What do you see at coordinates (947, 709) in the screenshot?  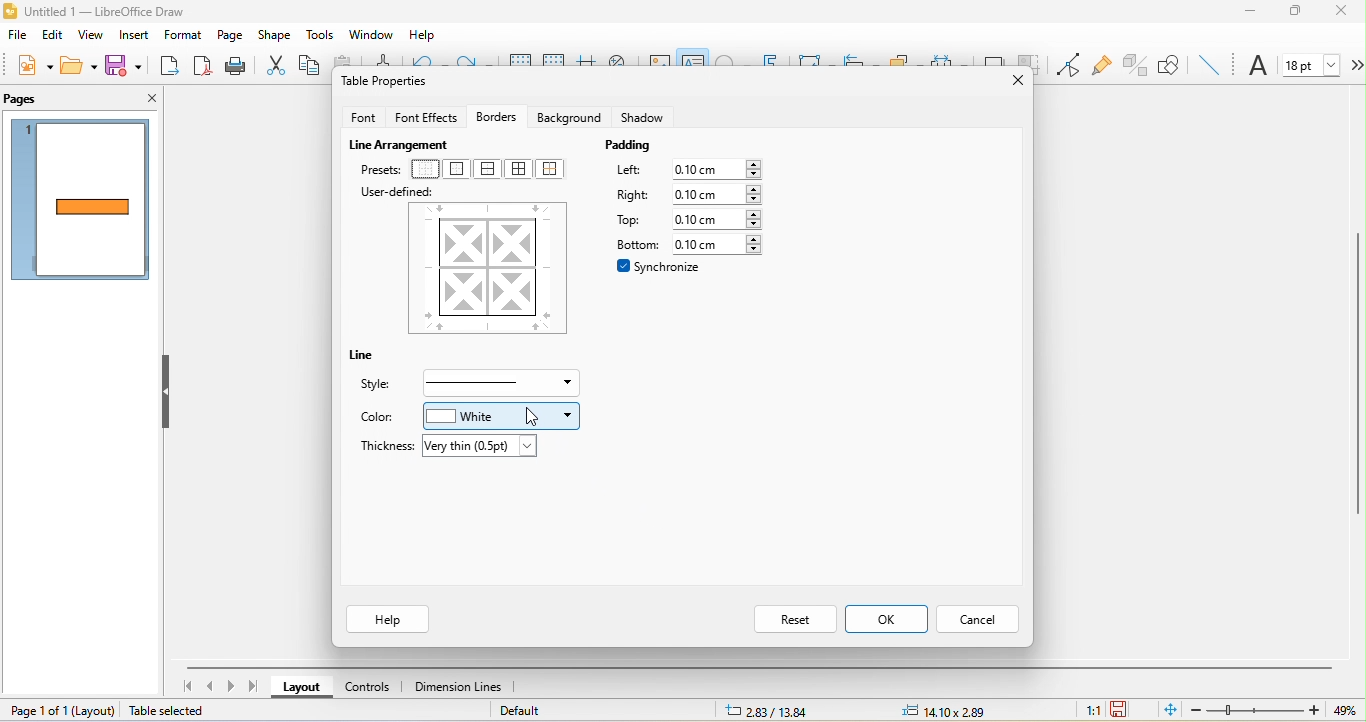 I see `14.10x2.89` at bounding box center [947, 709].